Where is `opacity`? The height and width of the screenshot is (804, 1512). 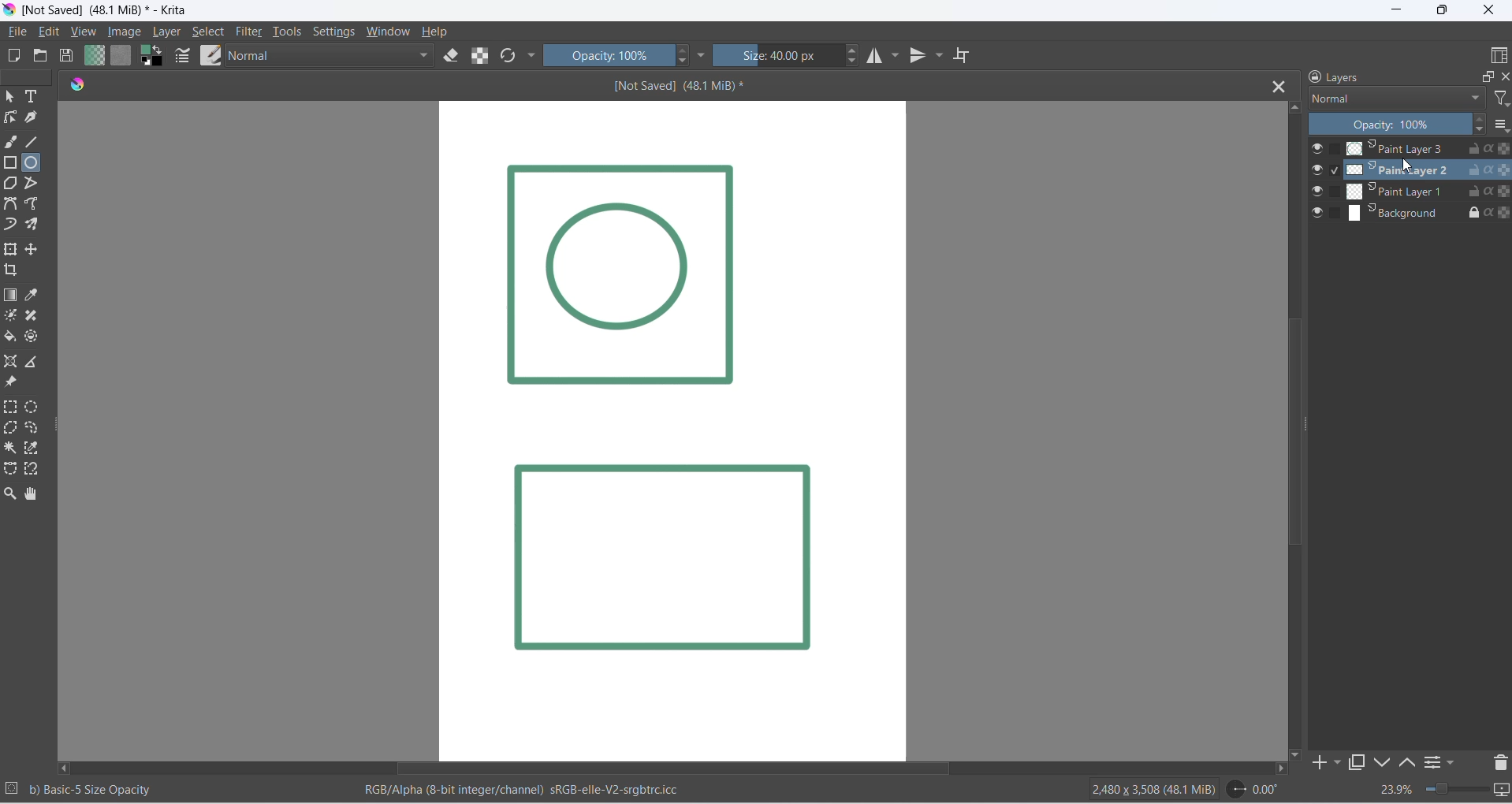 opacity is located at coordinates (605, 56).